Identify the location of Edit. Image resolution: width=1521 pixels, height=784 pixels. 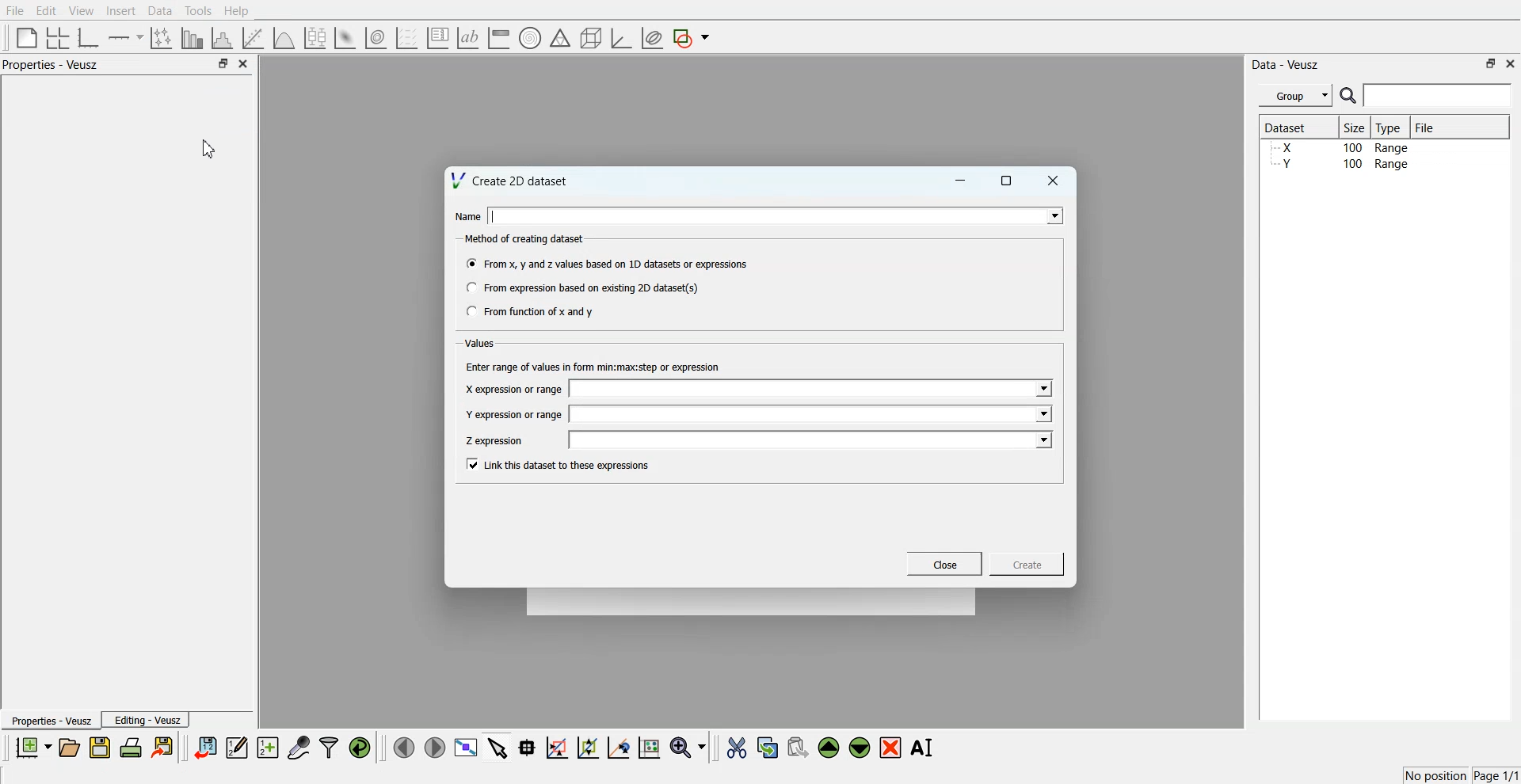
(45, 11).